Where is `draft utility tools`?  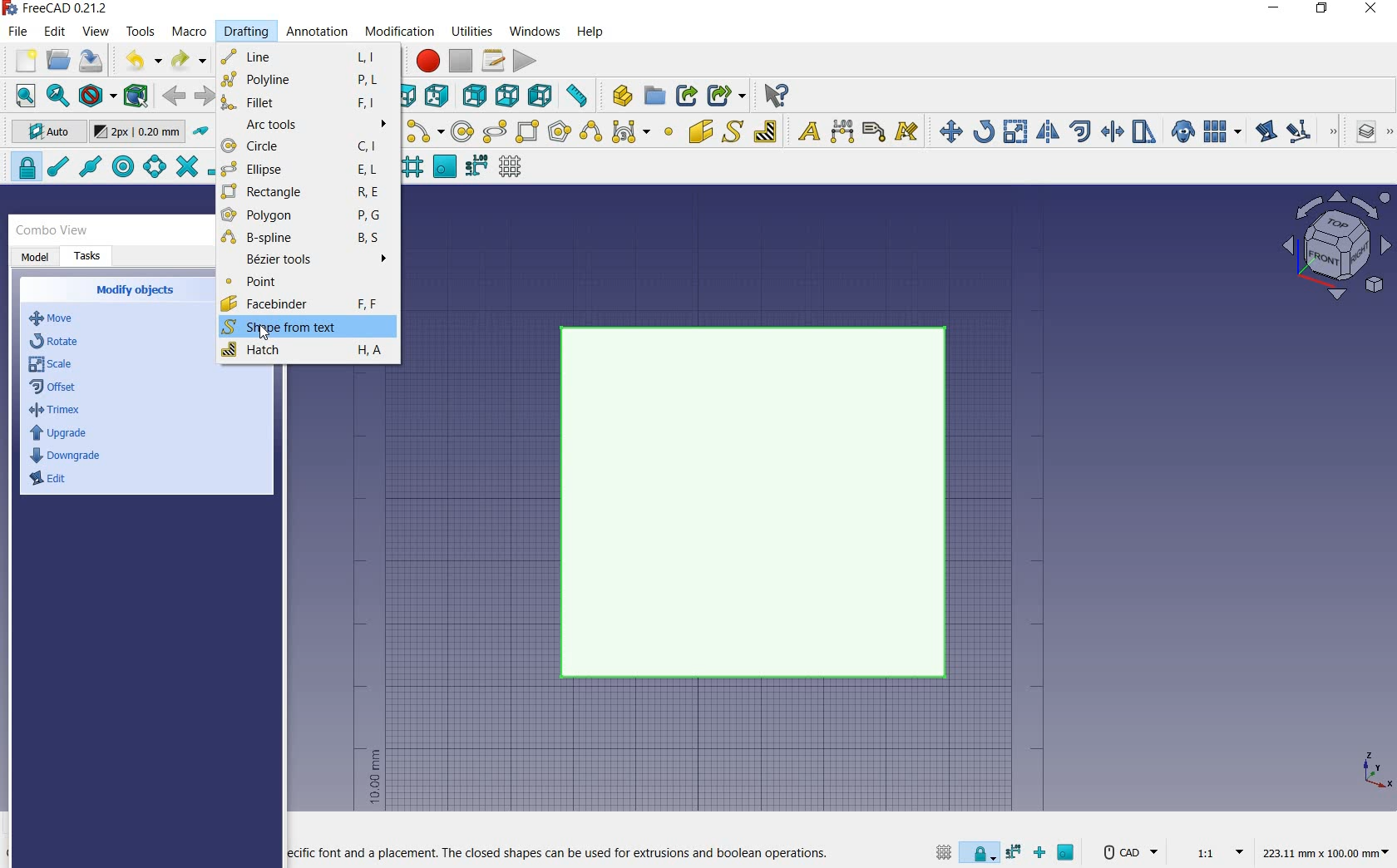
draft utility tools is located at coordinates (1388, 133).